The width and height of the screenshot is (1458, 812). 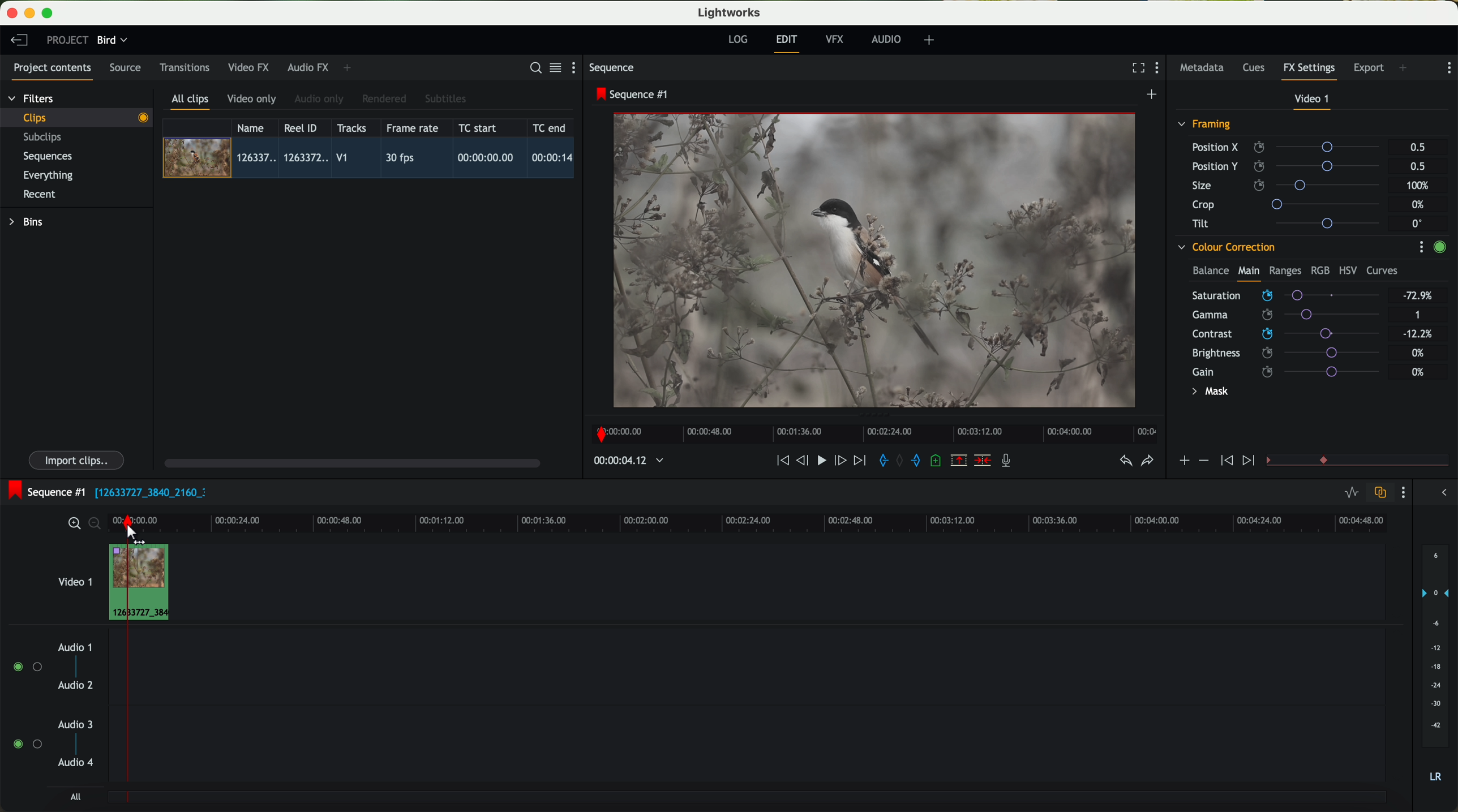 I want to click on show settings menu, so click(x=1160, y=69).